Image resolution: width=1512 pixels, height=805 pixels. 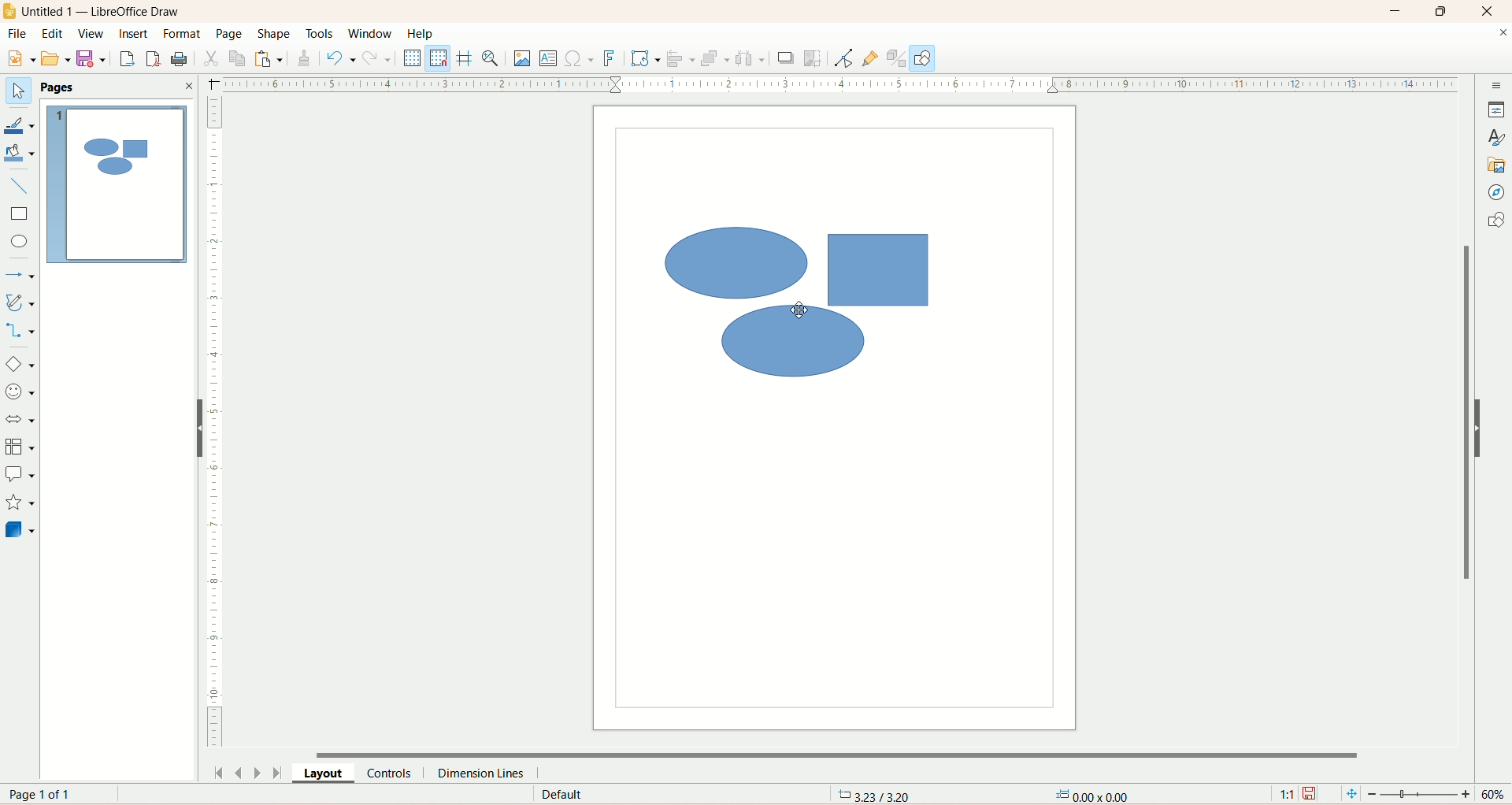 I want to click on copy, so click(x=239, y=59).